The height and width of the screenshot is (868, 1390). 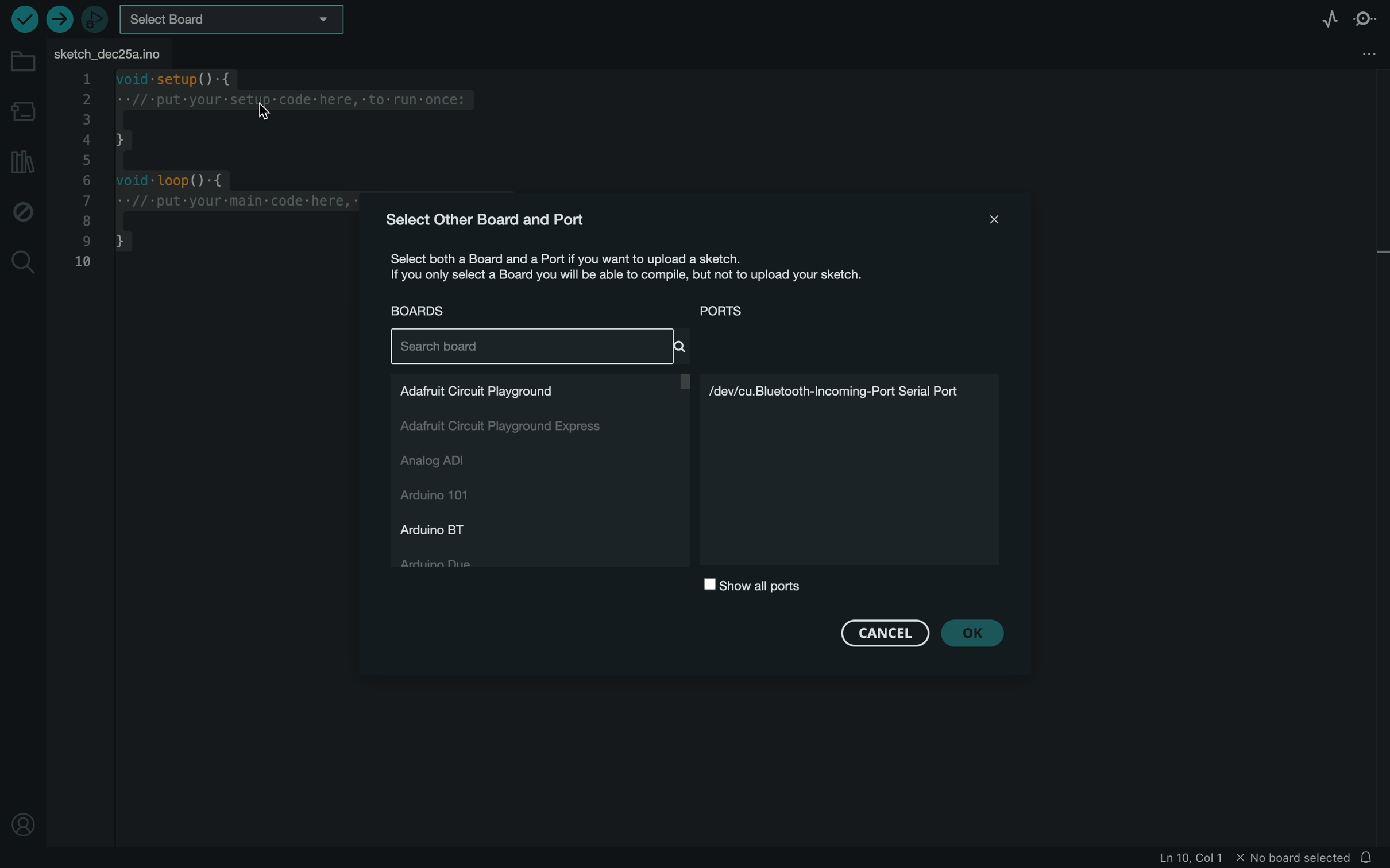 I want to click on file information, so click(x=1252, y=857).